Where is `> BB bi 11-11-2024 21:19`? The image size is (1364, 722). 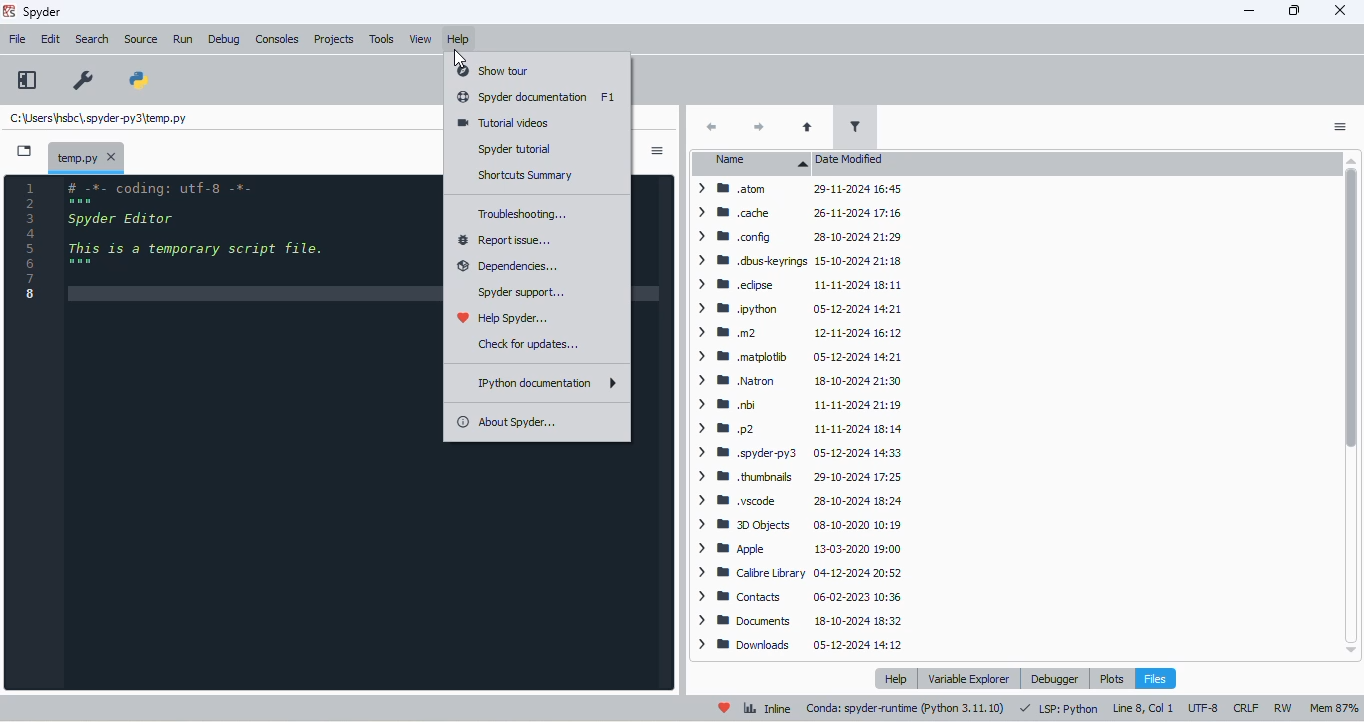
> BB bi 11-11-2024 21:19 is located at coordinates (797, 405).